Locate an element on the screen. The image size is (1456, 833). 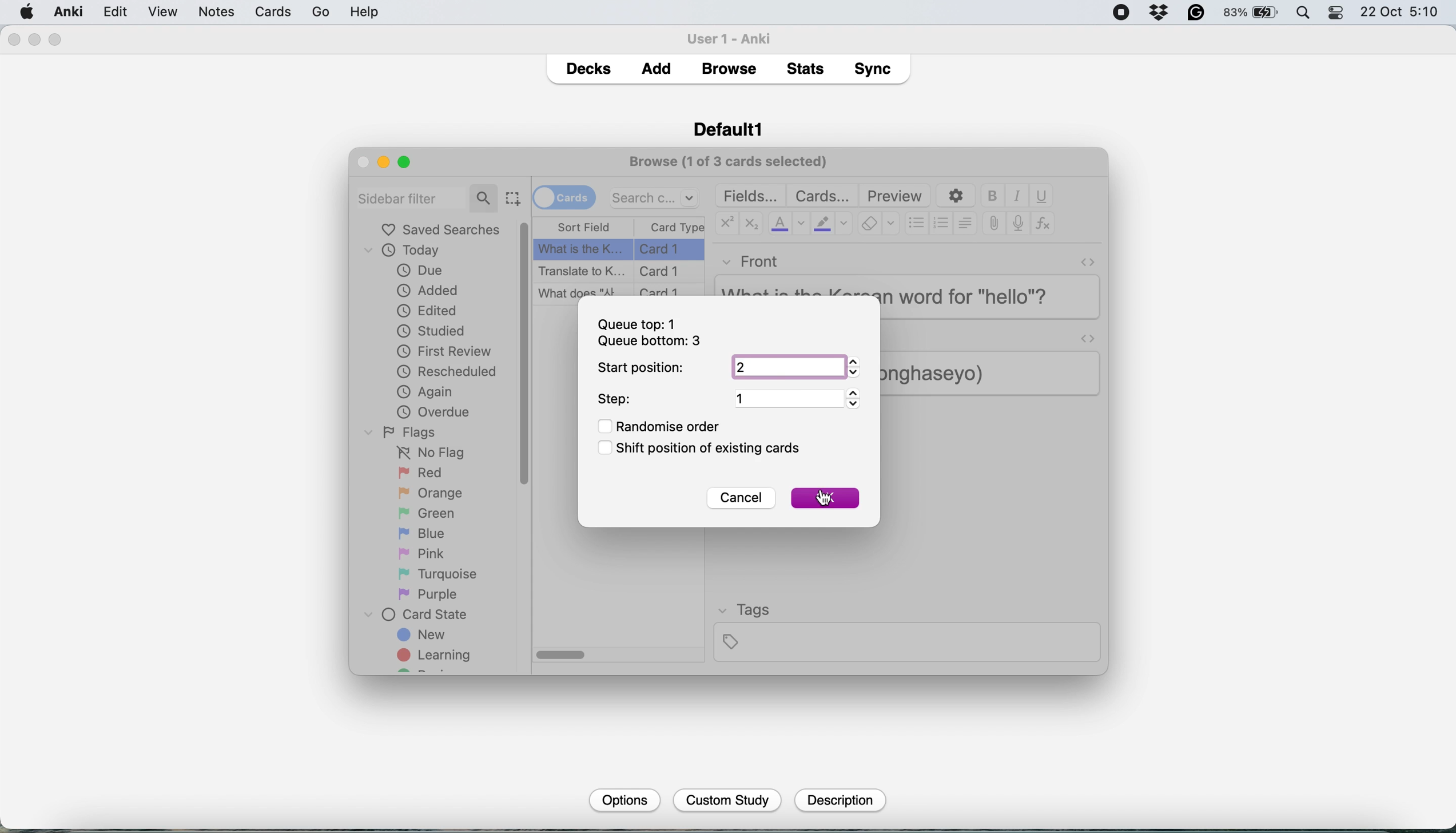
underline is located at coordinates (1041, 196).